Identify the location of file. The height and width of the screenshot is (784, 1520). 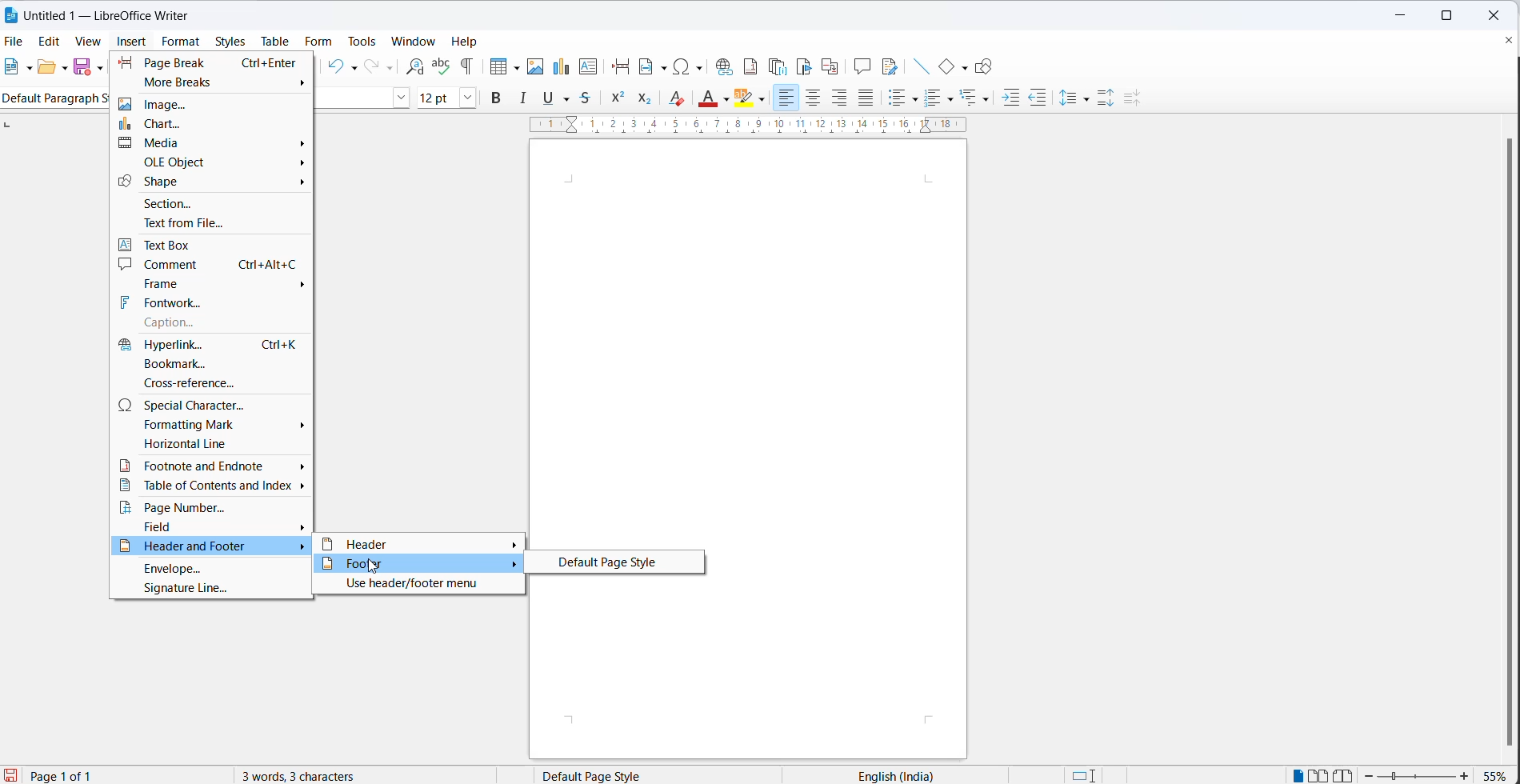
(16, 40).